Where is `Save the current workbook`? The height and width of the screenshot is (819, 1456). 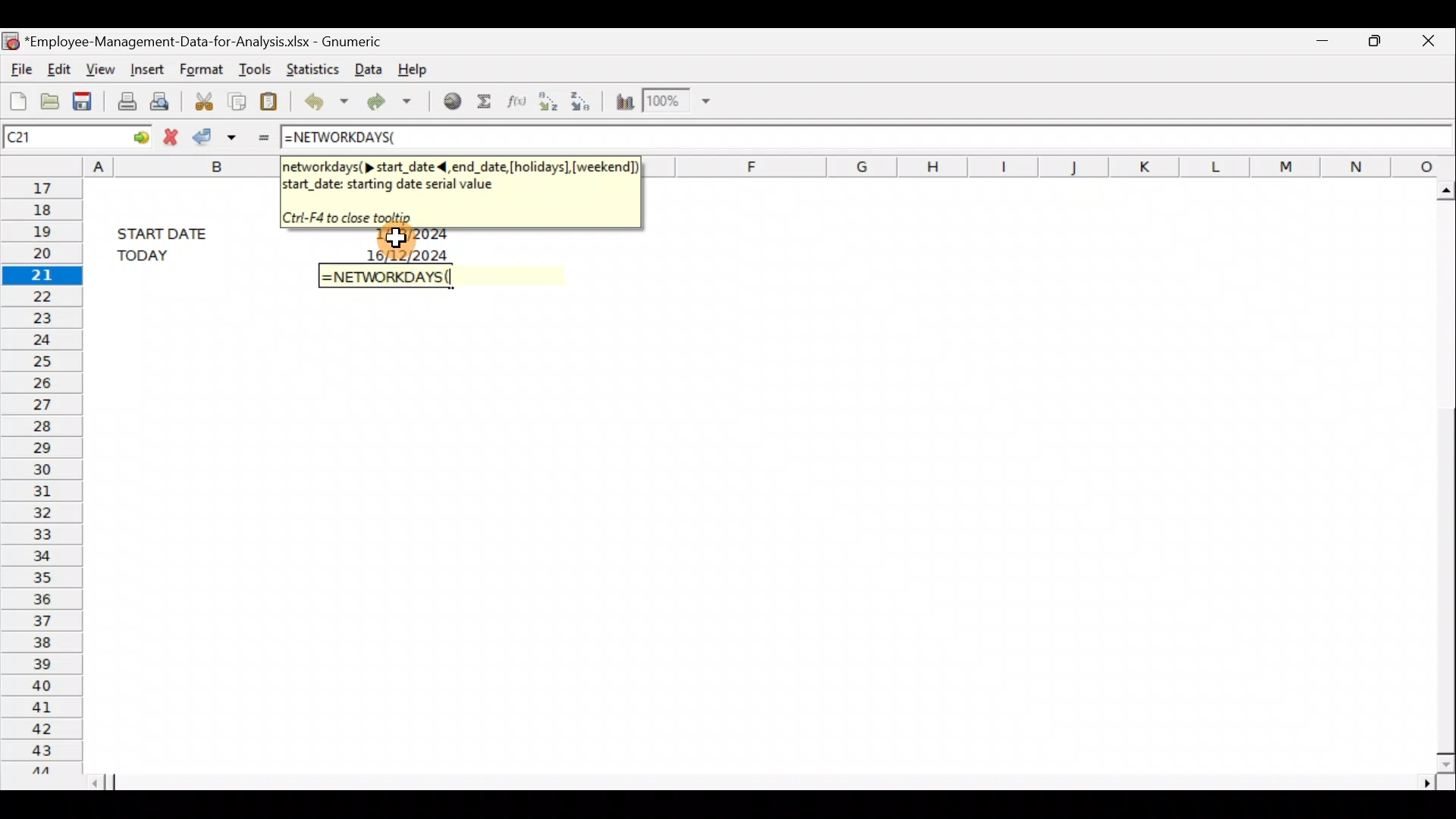 Save the current workbook is located at coordinates (85, 99).